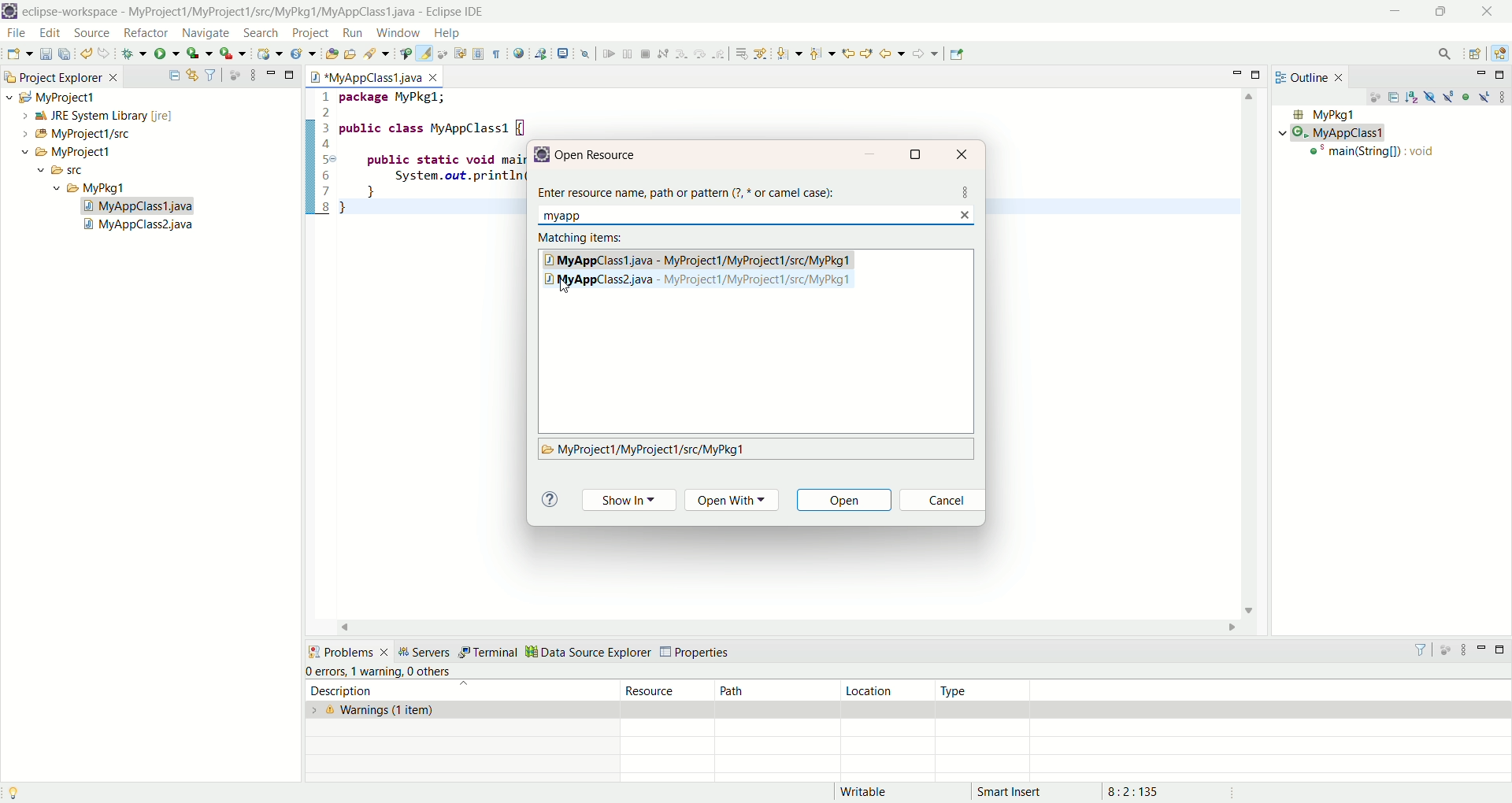 This screenshot has width=1512, height=803. What do you see at coordinates (541, 154) in the screenshot?
I see `eclipse logo` at bounding box center [541, 154].